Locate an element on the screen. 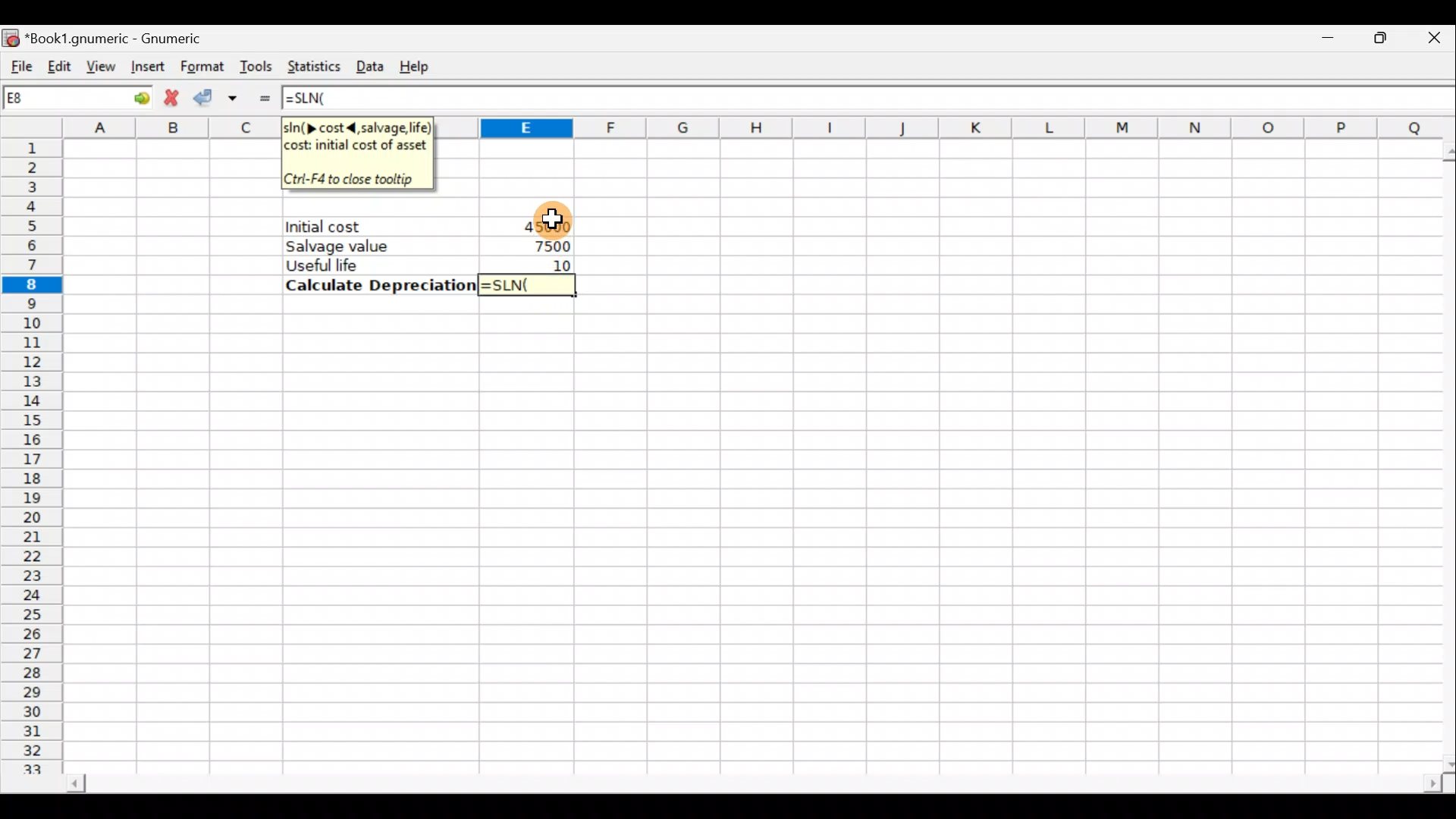  *Book1.gnumeric - Gnumeric is located at coordinates (133, 38).